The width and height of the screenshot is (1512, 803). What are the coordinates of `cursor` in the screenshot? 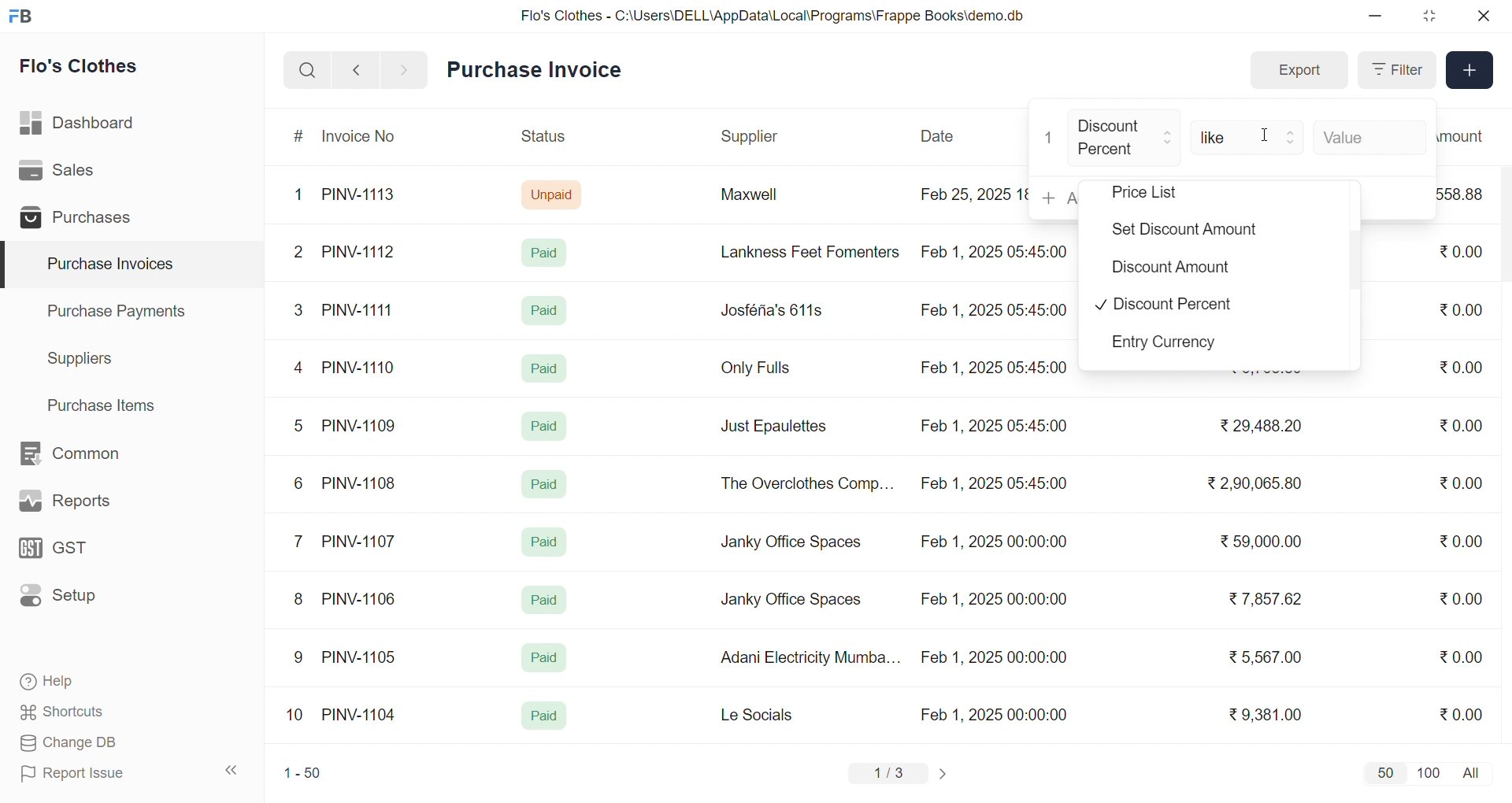 It's located at (1275, 142).